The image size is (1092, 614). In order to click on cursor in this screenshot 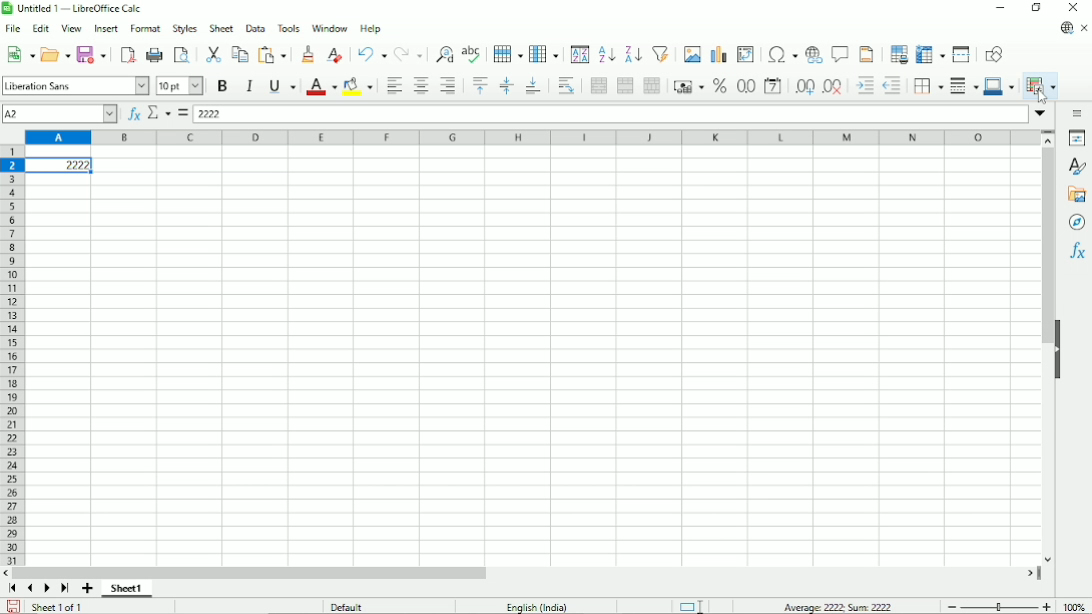, I will do `click(1041, 96)`.